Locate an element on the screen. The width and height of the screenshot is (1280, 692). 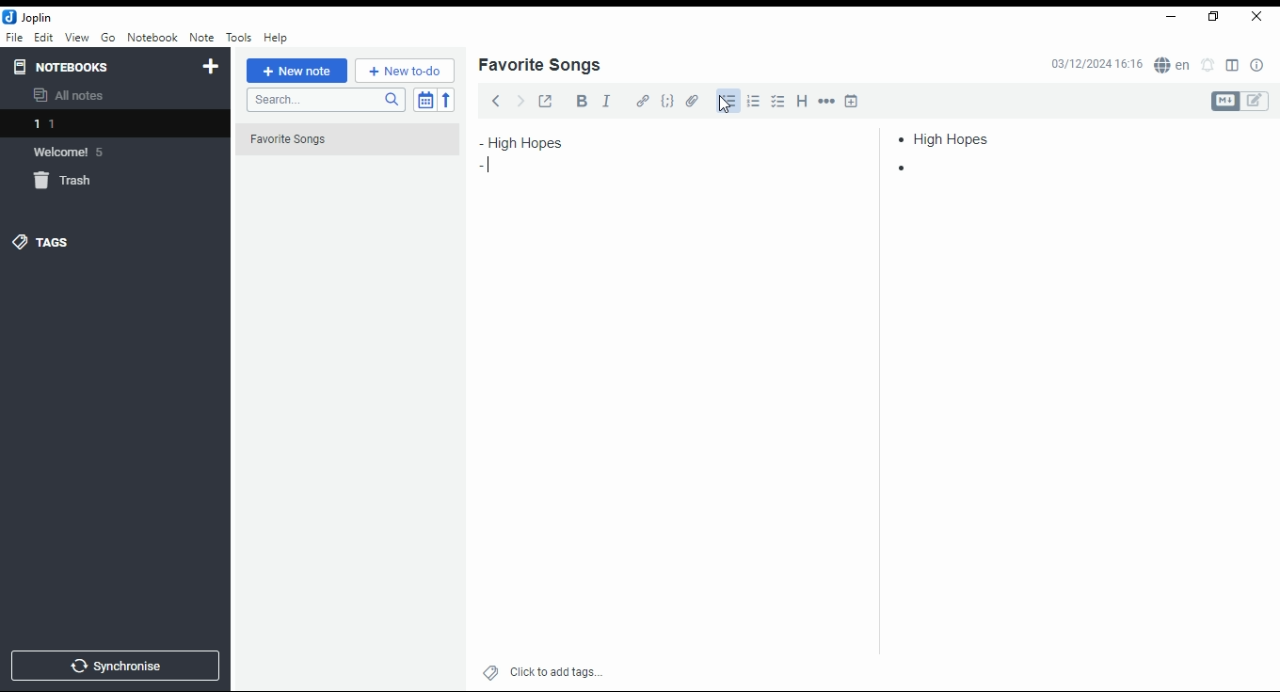
new note is located at coordinates (297, 71).